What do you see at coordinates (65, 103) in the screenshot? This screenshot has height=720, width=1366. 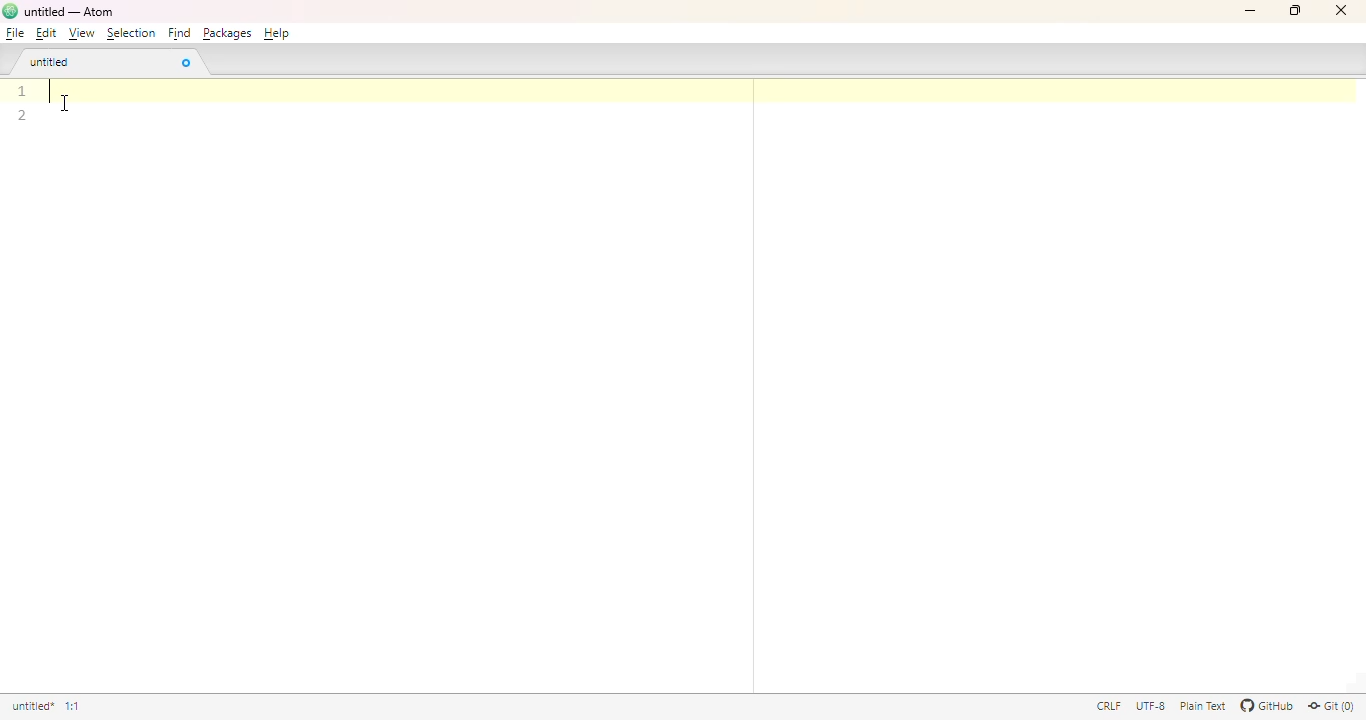 I see `cursor` at bounding box center [65, 103].